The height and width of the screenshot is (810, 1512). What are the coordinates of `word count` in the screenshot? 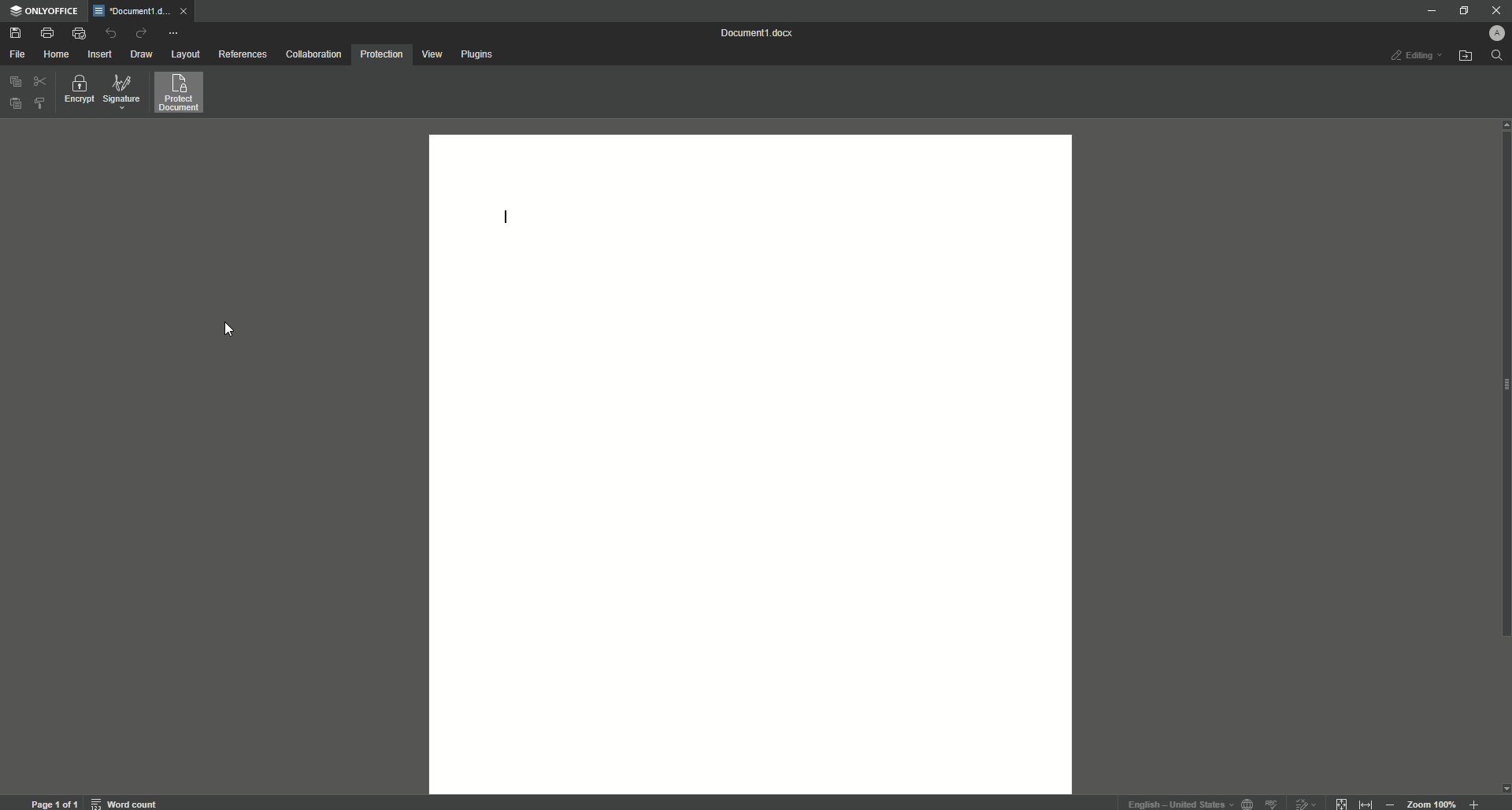 It's located at (123, 803).